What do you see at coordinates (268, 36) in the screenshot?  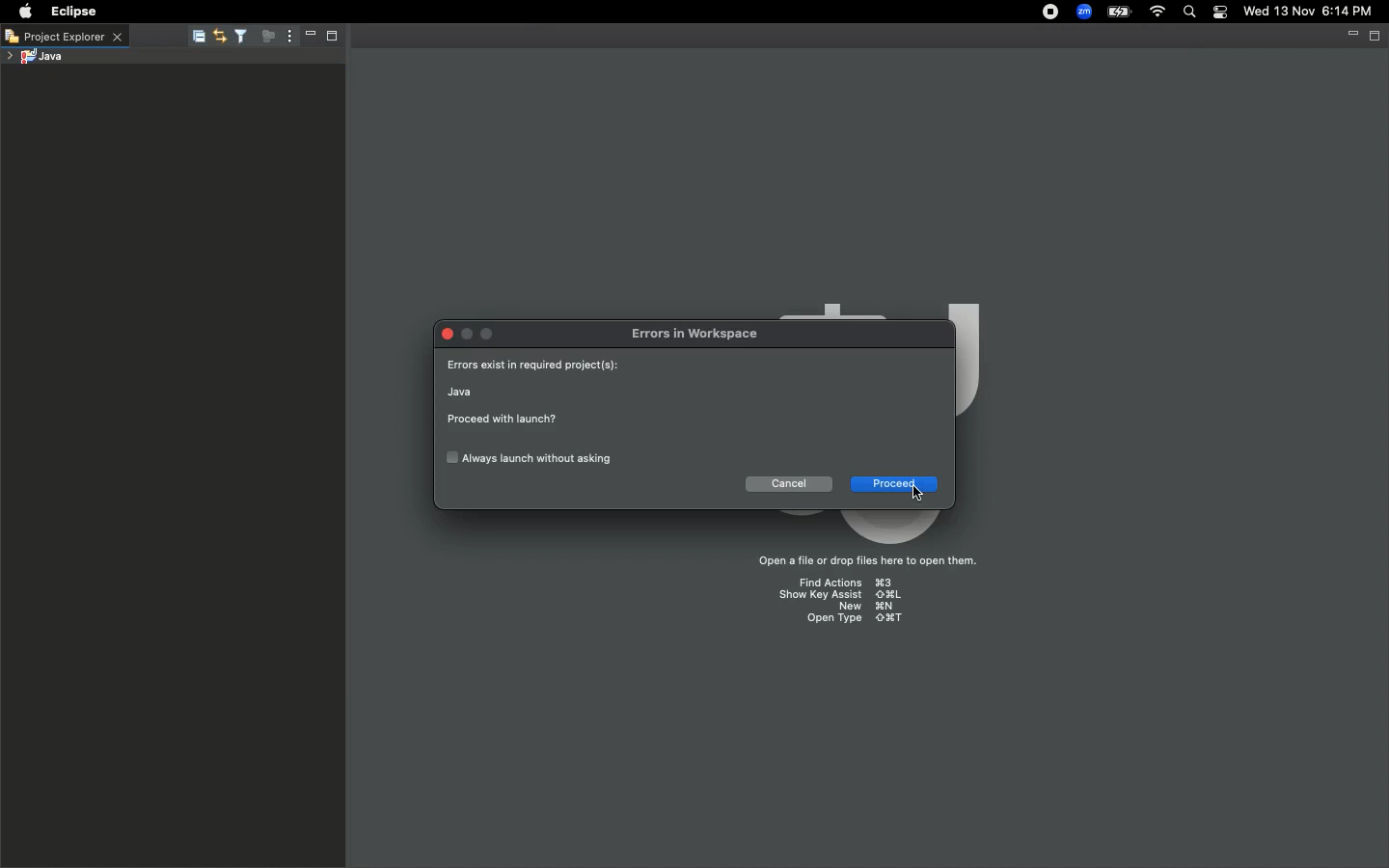 I see `Focus on active task` at bounding box center [268, 36].